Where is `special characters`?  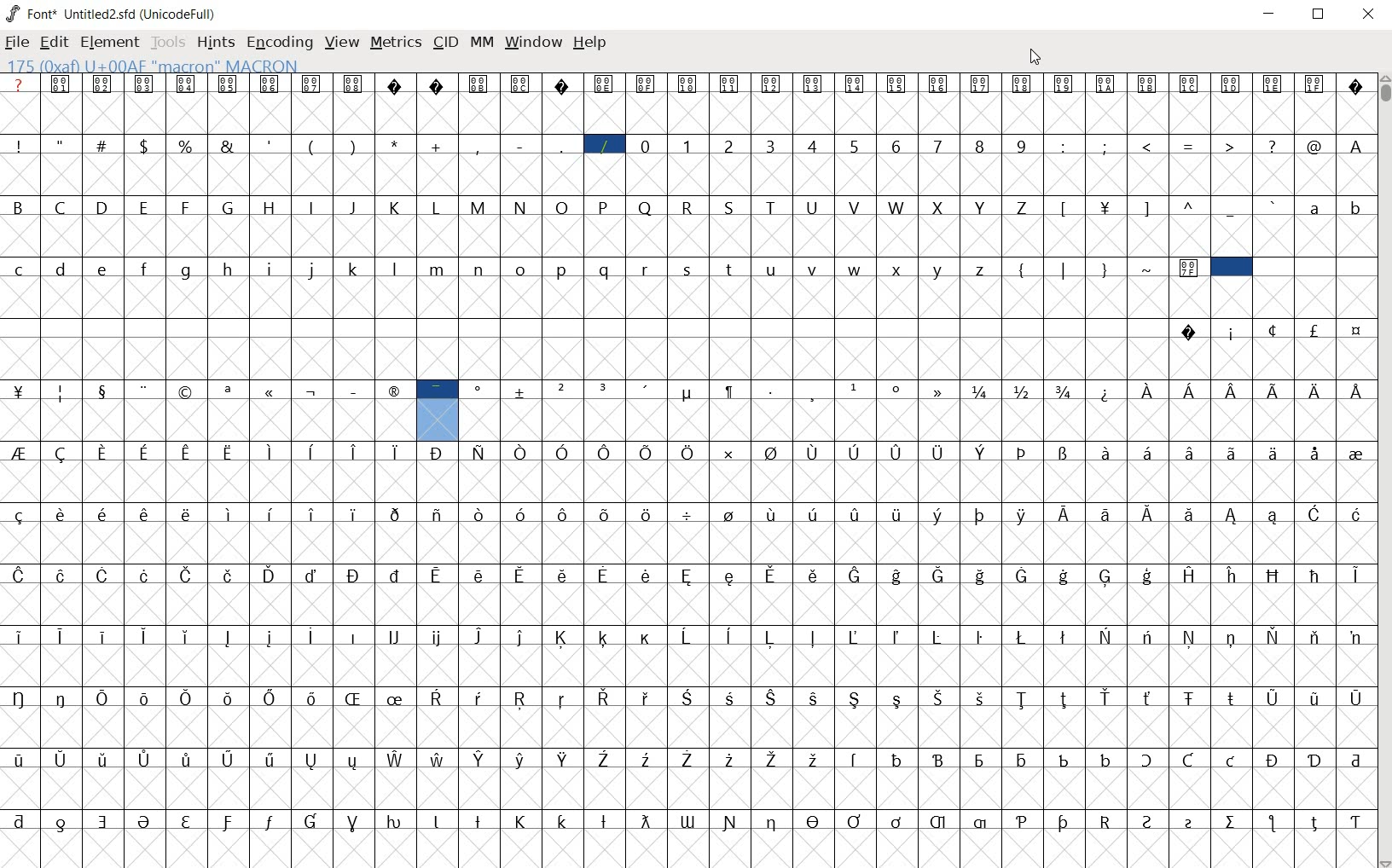 special characters is located at coordinates (502, 411).